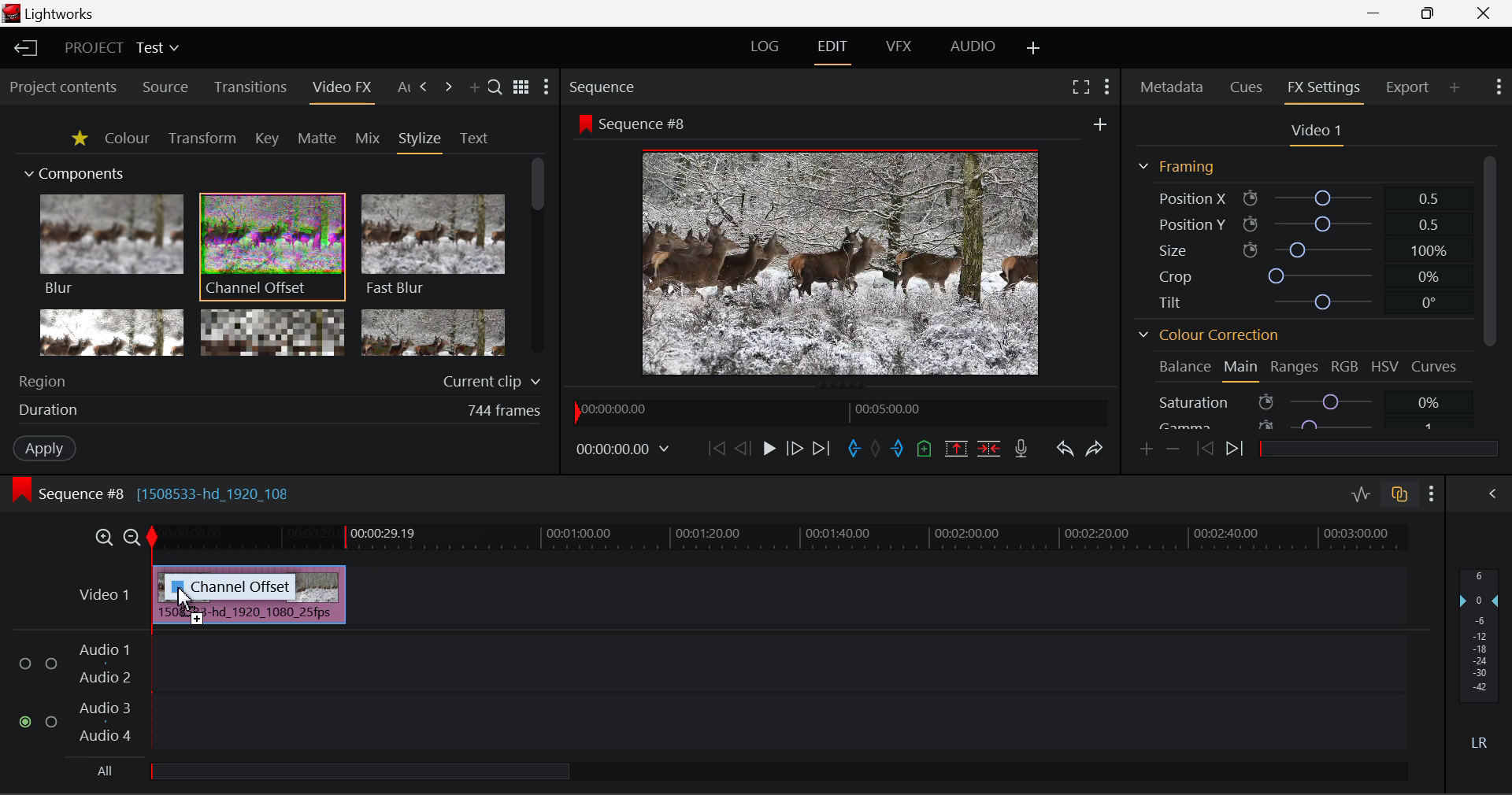  Describe the element at coordinates (272, 331) in the screenshot. I see `Mosaic` at that location.